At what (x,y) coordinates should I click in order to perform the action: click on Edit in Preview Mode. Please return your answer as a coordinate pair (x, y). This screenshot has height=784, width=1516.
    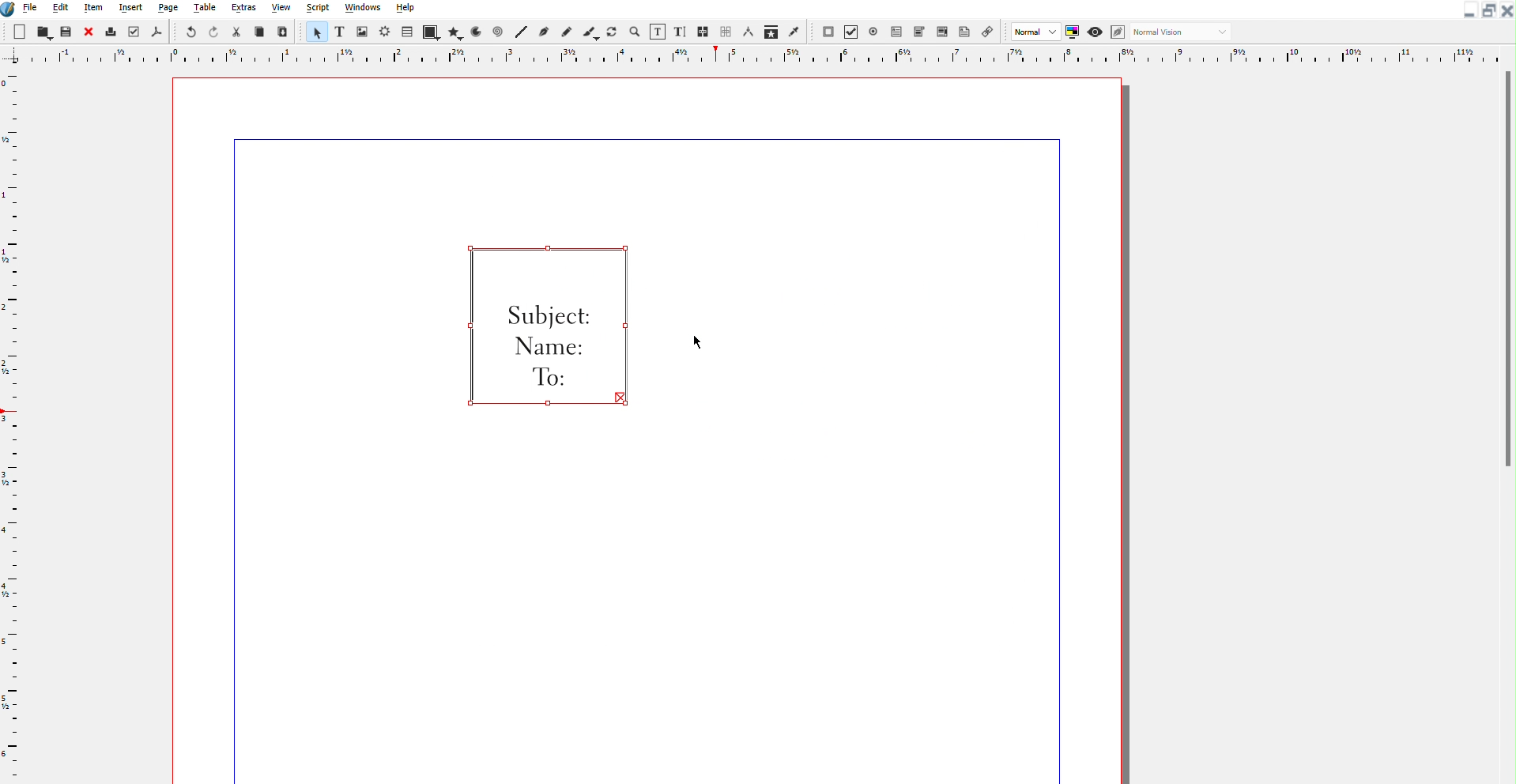
    Looking at the image, I should click on (1118, 32).